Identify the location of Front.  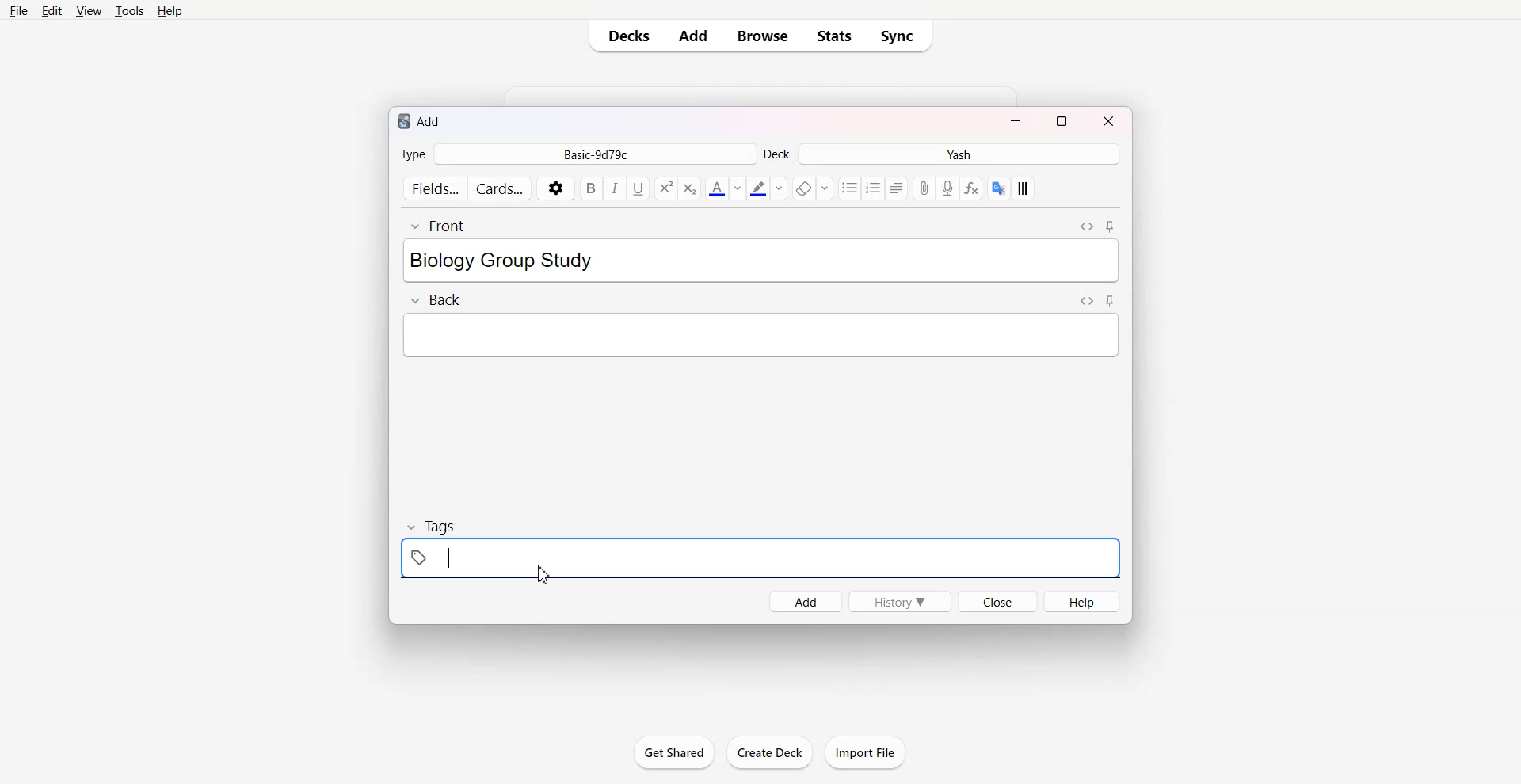
(437, 226).